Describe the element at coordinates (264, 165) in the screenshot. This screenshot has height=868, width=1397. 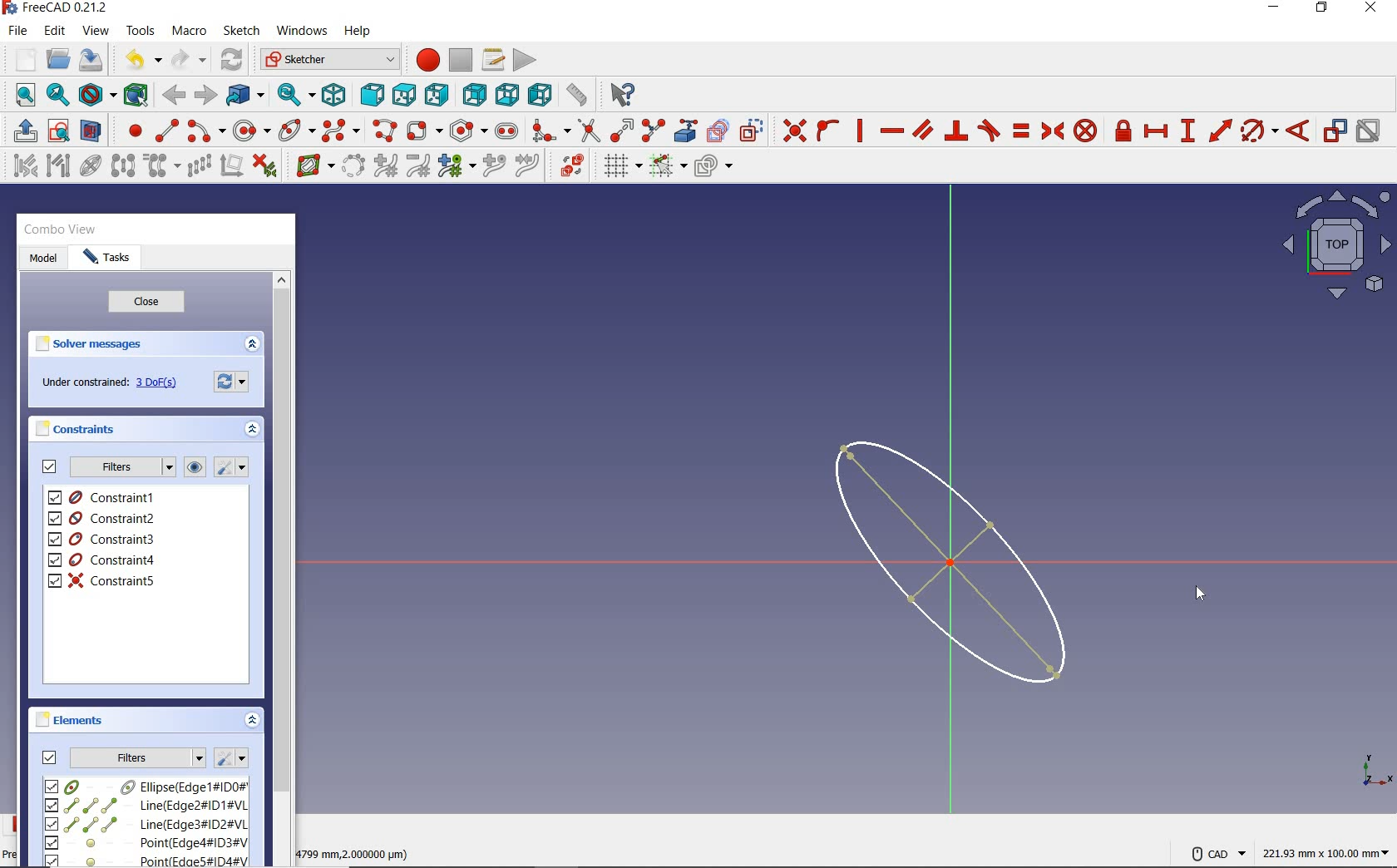
I see `delete all constraints` at that location.